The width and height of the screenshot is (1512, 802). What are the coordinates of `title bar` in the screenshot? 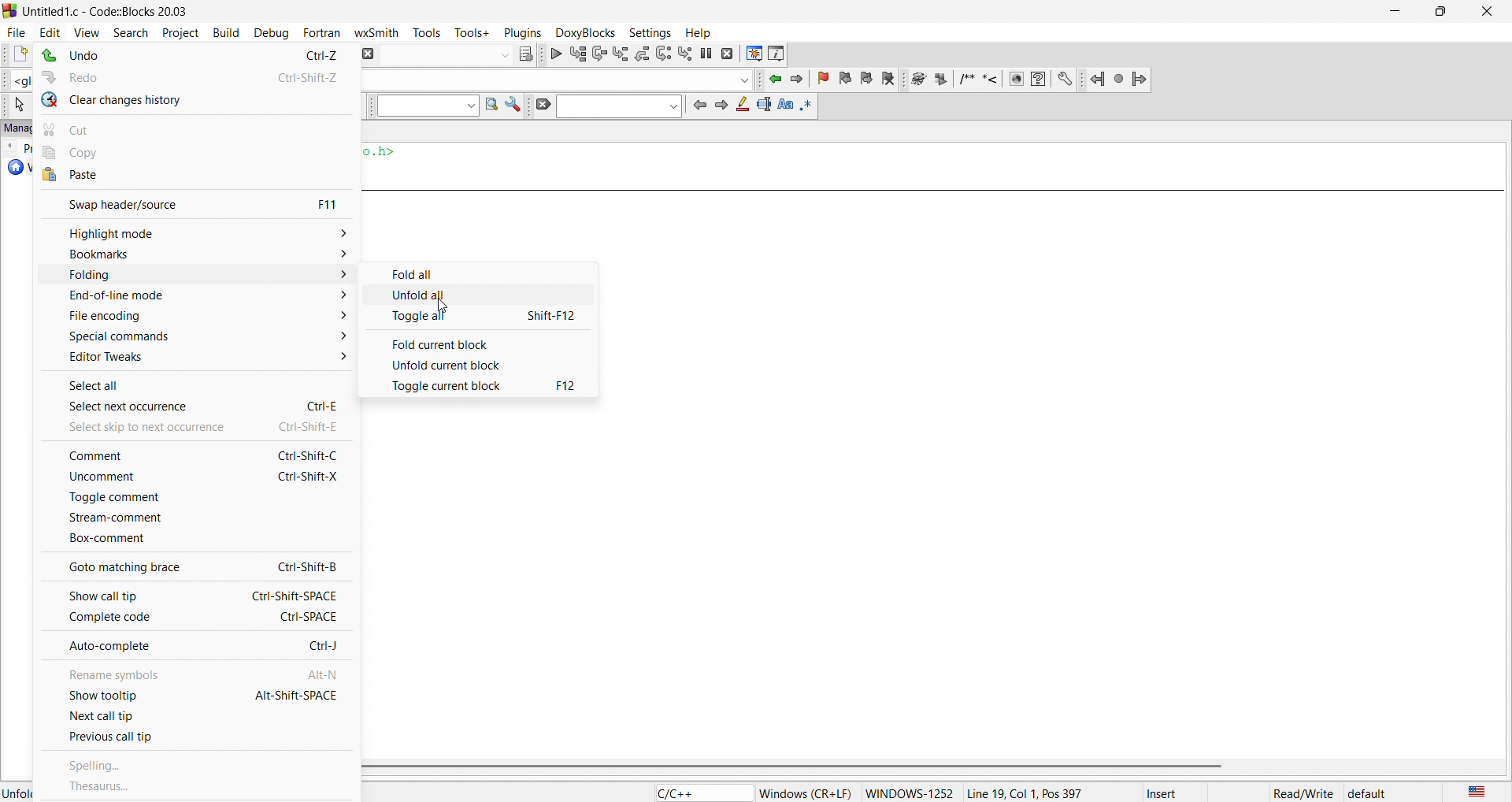 It's located at (110, 12).